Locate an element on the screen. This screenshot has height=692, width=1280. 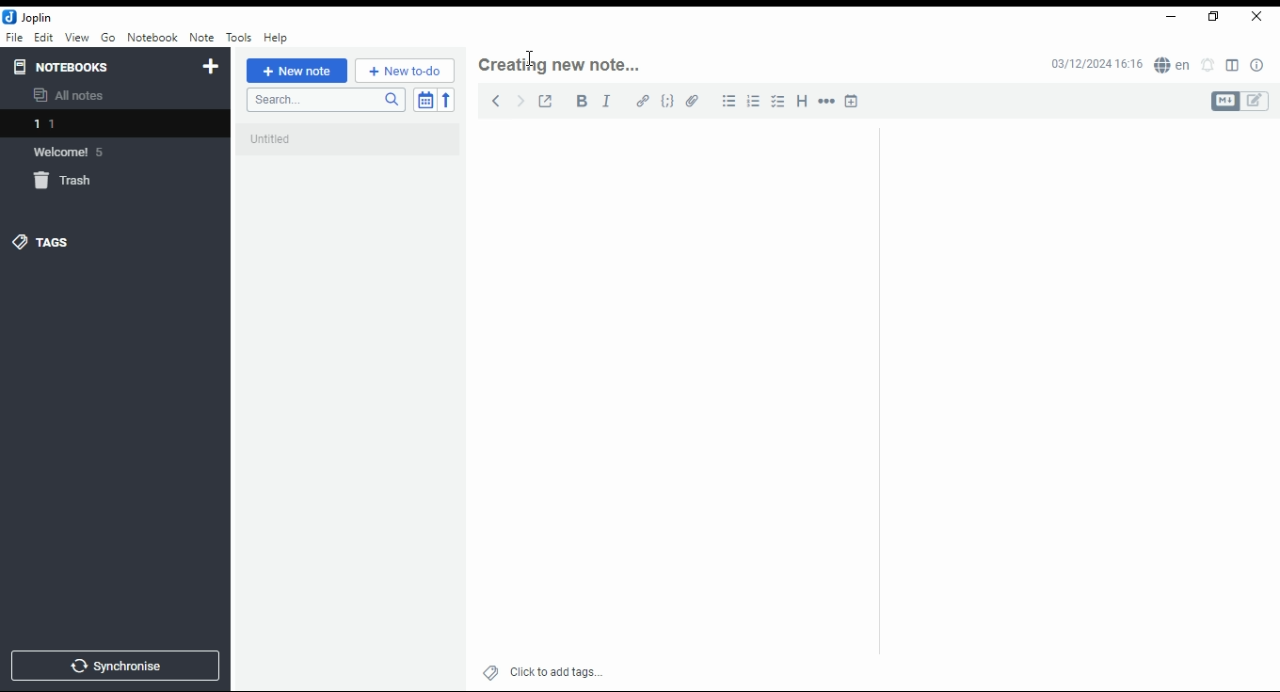
forward is located at coordinates (520, 99).